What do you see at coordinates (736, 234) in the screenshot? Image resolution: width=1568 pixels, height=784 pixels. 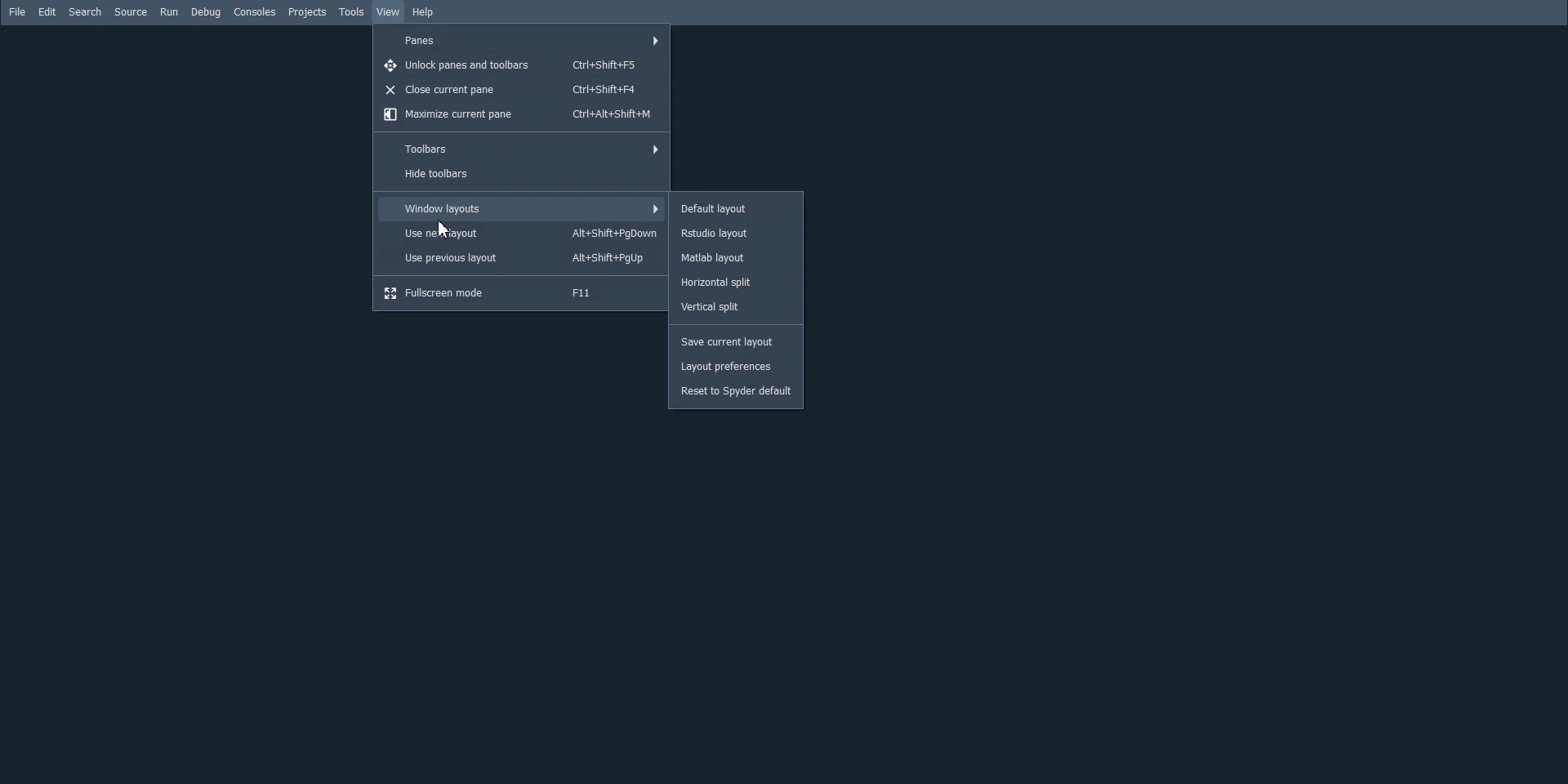 I see `Rstudio layout` at bounding box center [736, 234].